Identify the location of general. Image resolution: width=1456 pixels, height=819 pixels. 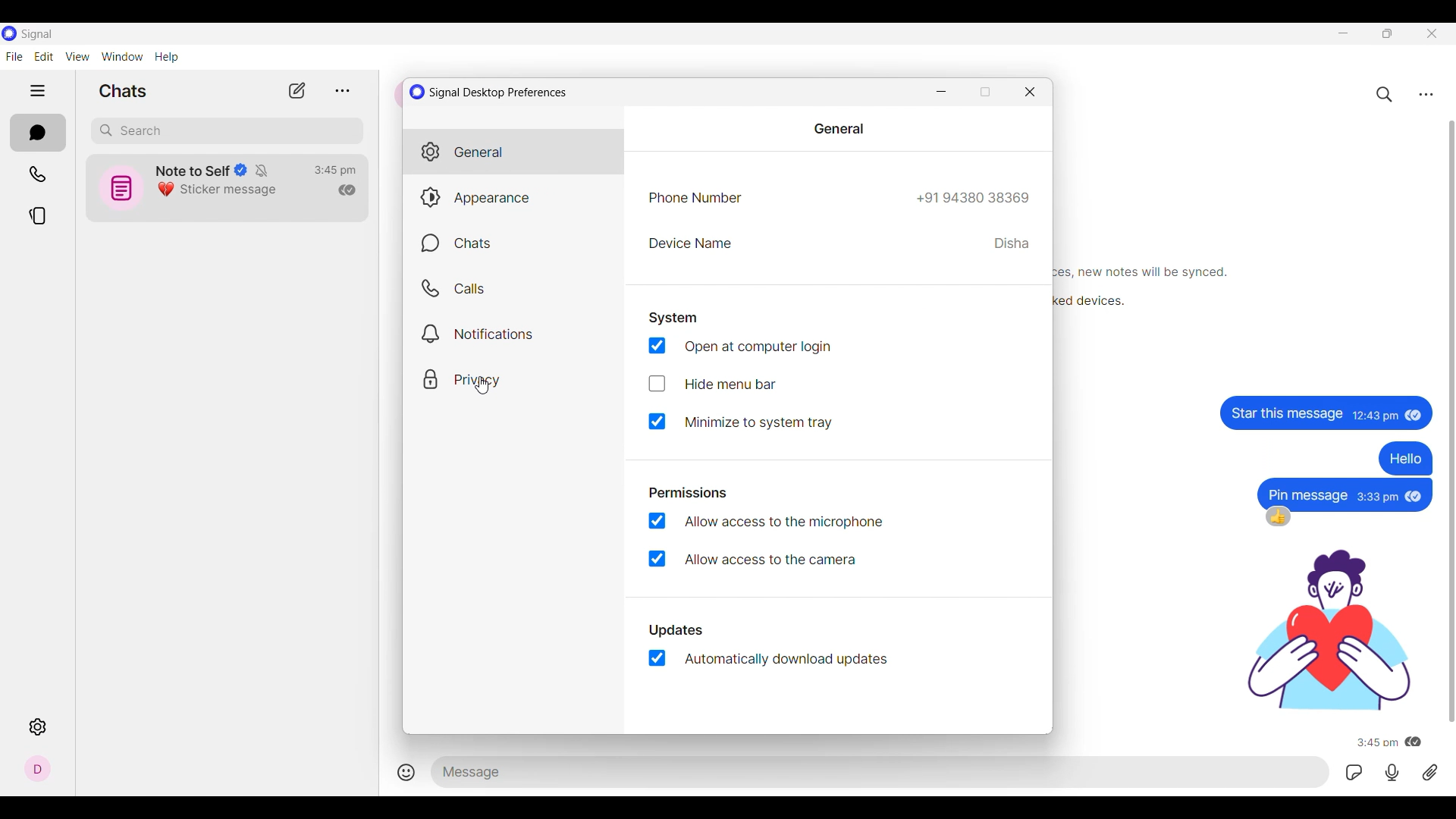
(838, 127).